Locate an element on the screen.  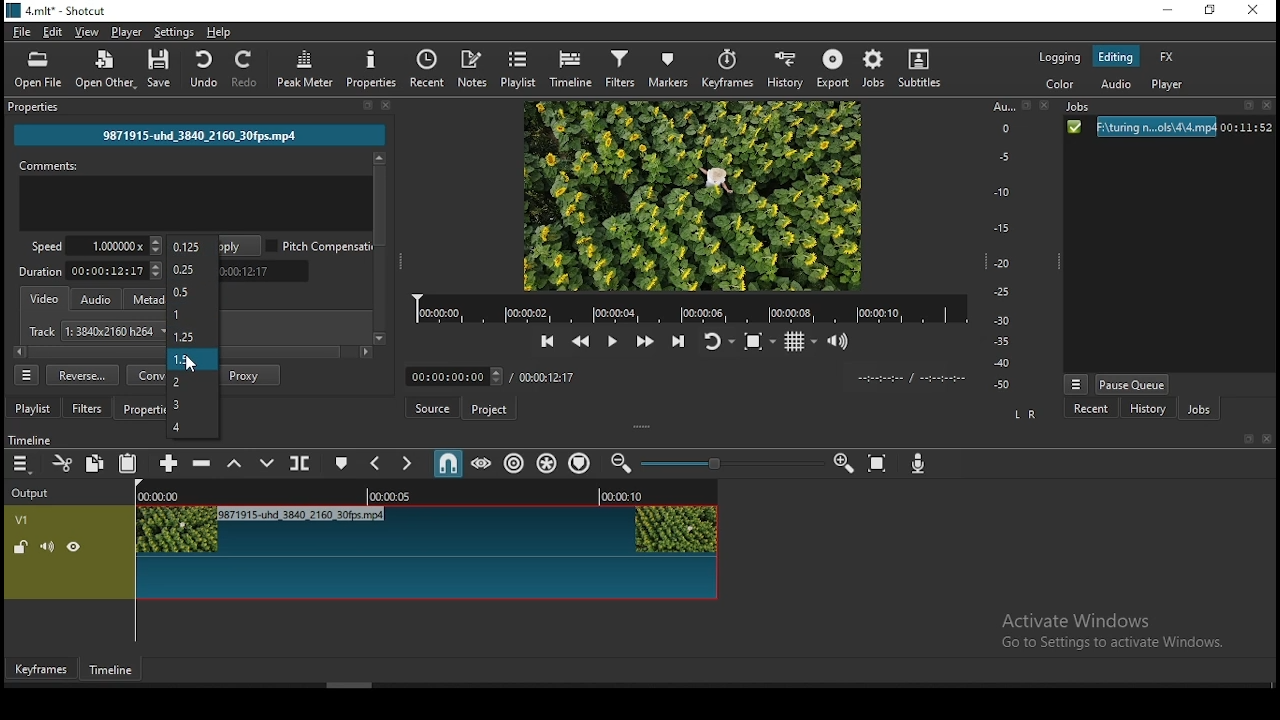
timeline is located at coordinates (112, 670).